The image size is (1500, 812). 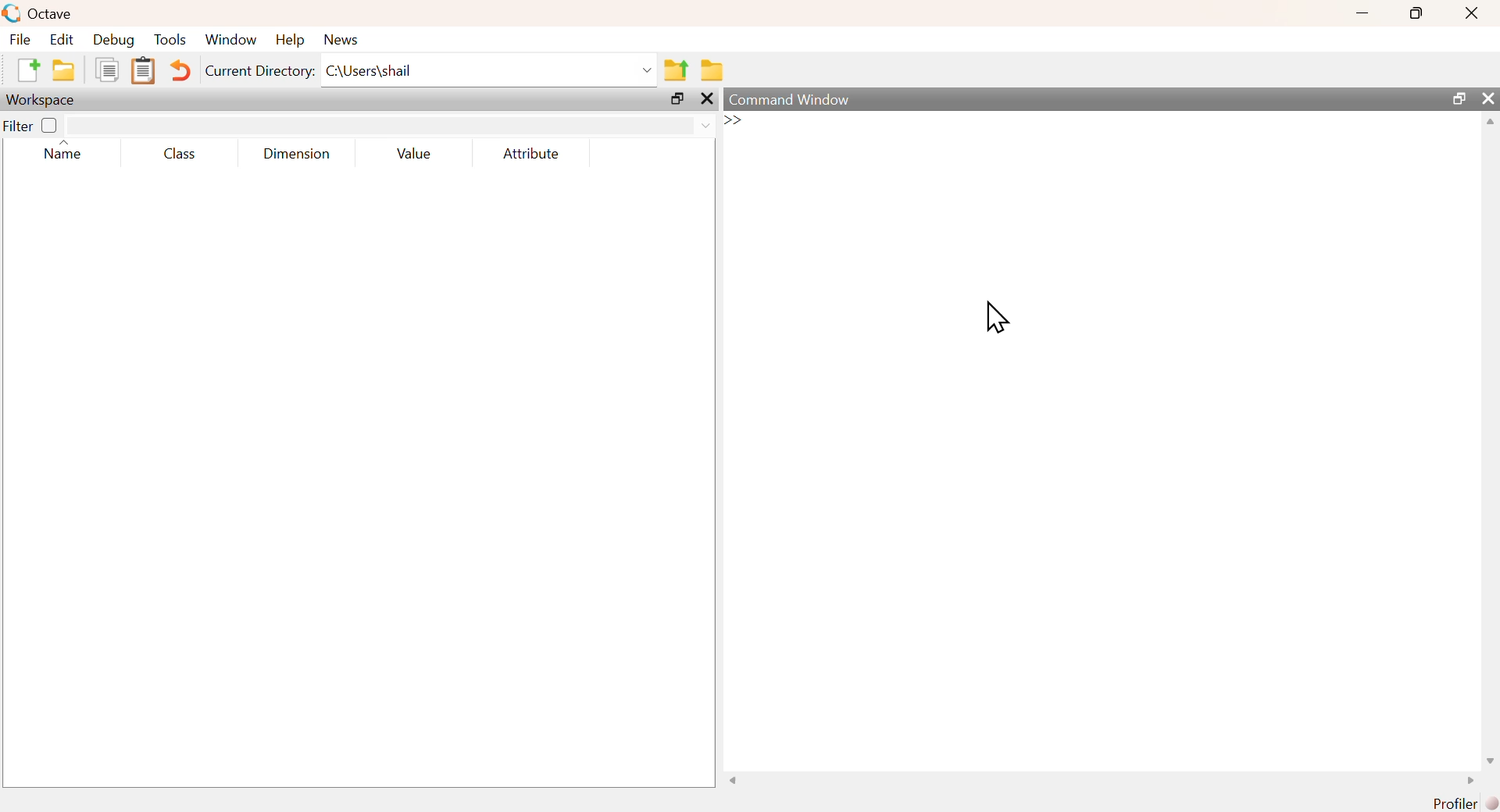 I want to click on typing cursor, so click(x=744, y=123).